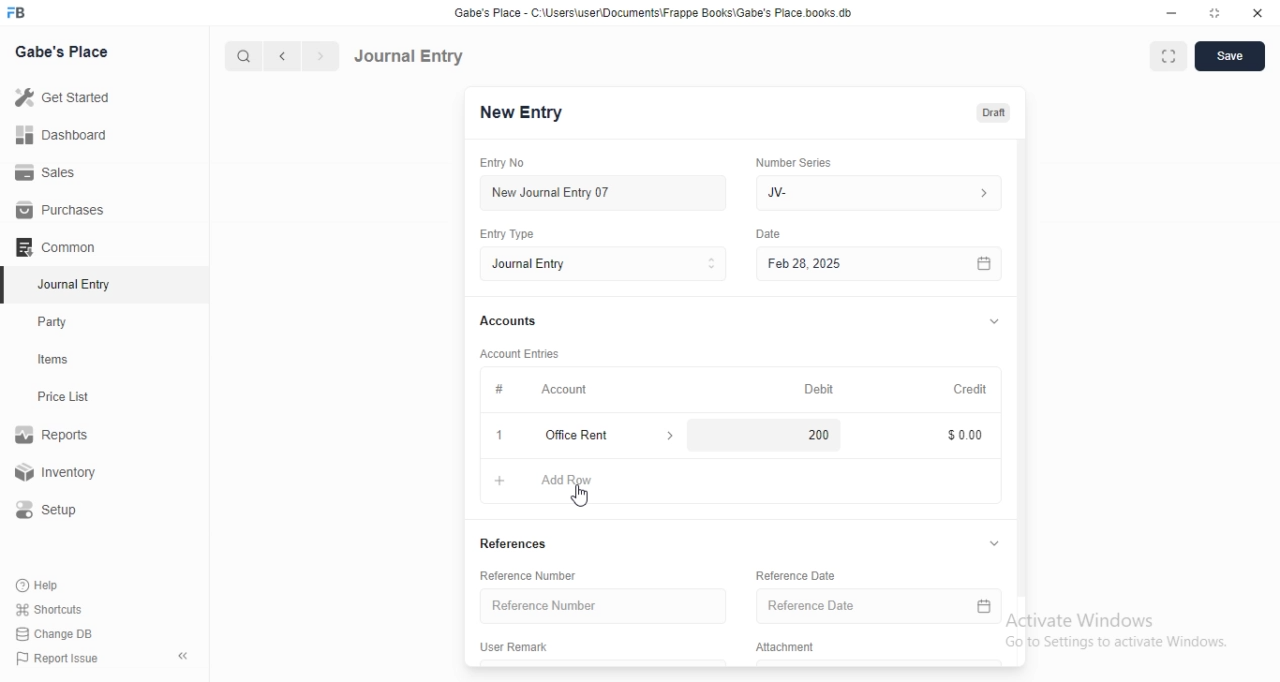  I want to click on Reference Date , so click(881, 605).